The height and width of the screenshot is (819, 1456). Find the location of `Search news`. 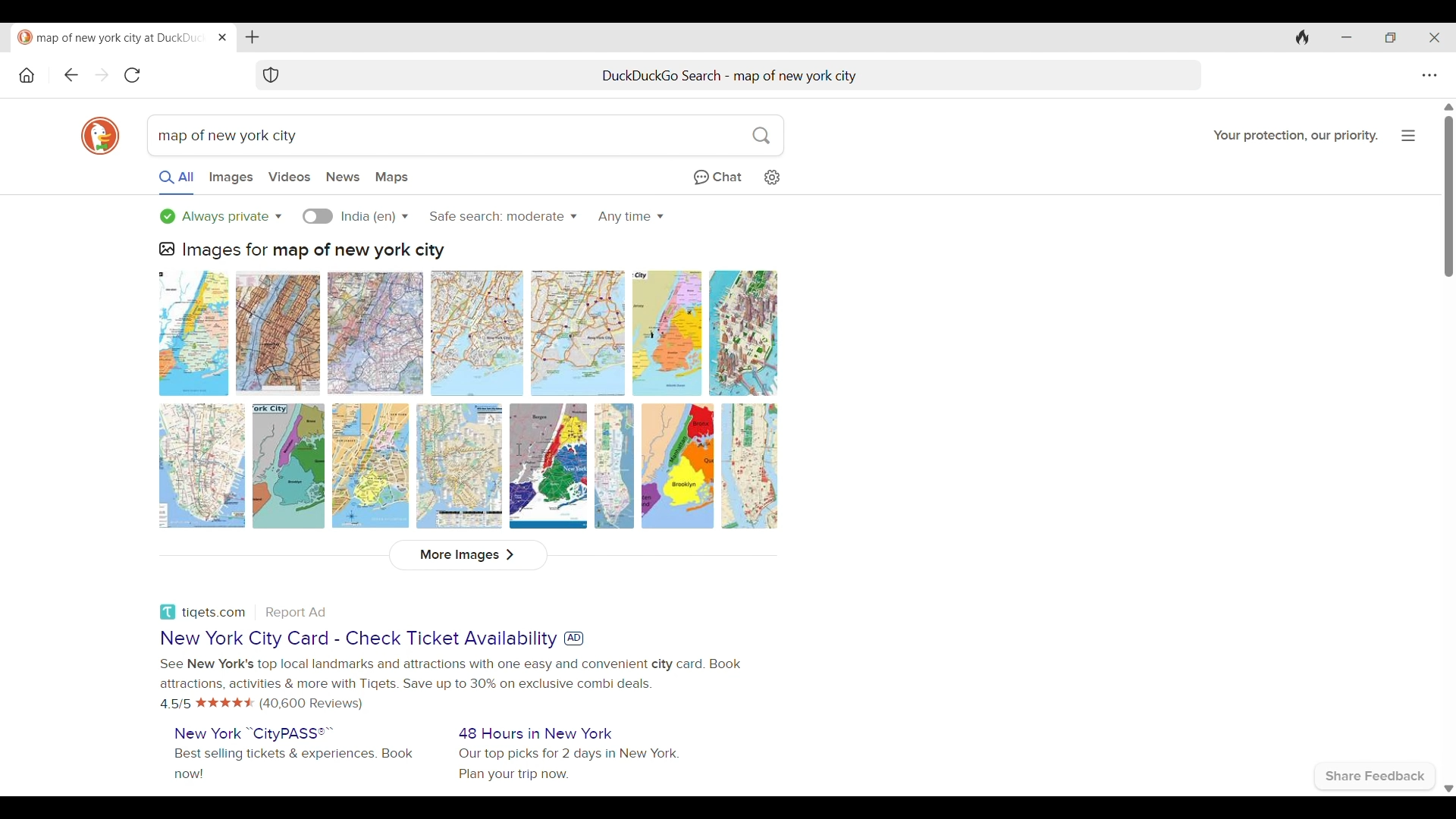

Search news is located at coordinates (343, 177).